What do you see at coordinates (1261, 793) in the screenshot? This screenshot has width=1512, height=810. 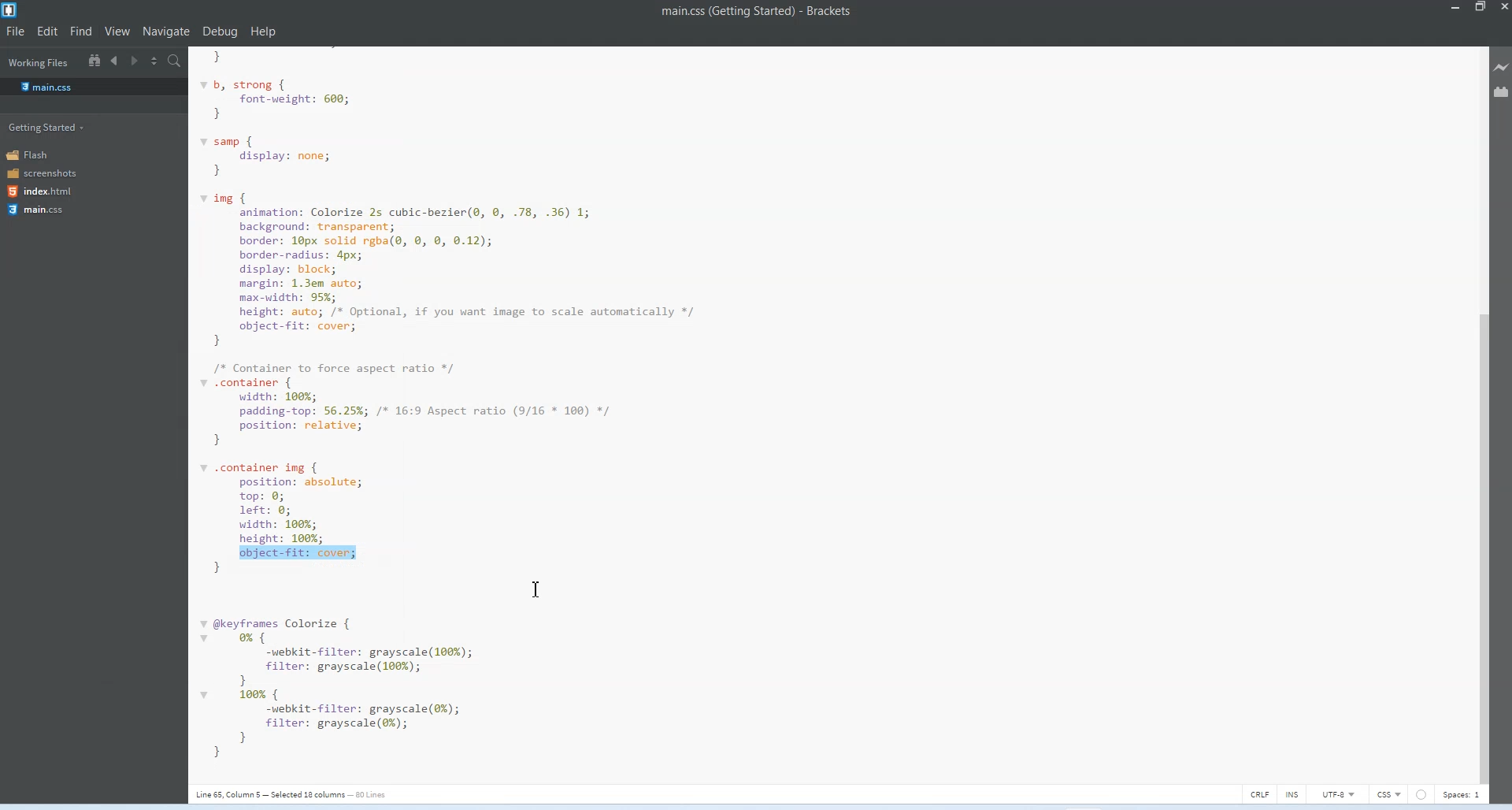 I see `CRLF` at bounding box center [1261, 793].